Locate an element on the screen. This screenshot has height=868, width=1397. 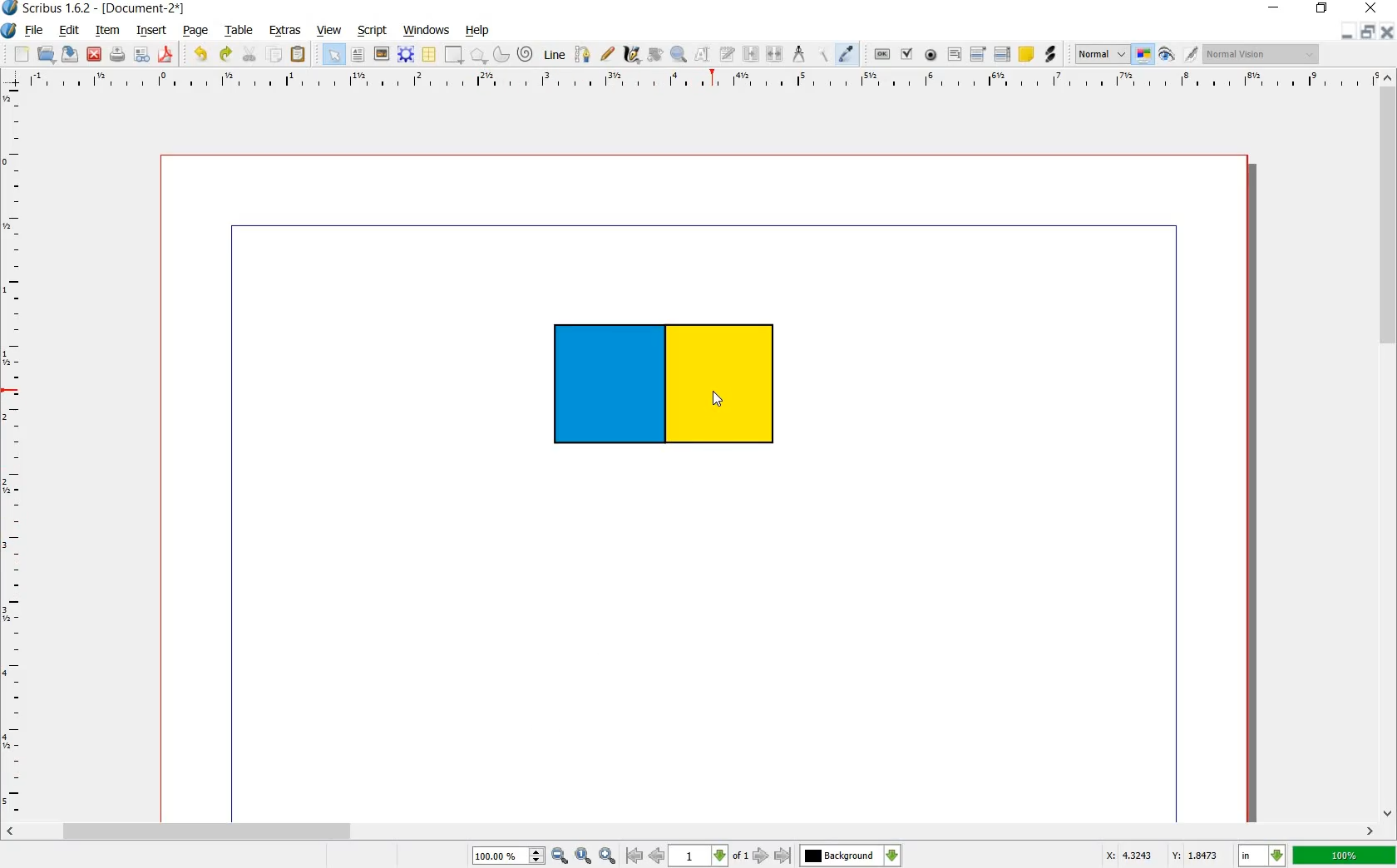
arc is located at coordinates (501, 55).